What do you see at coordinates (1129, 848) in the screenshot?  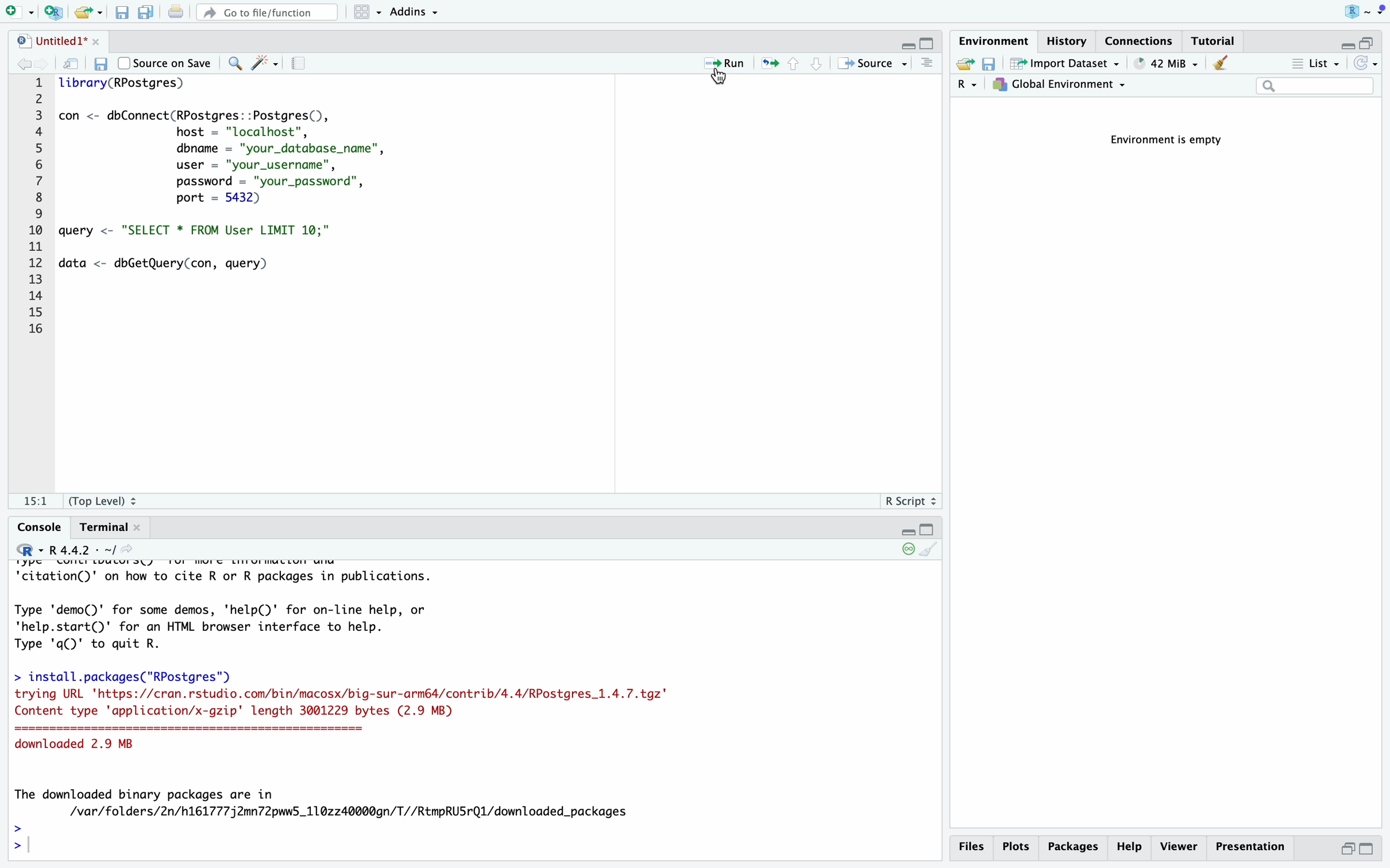 I see `help` at bounding box center [1129, 848].